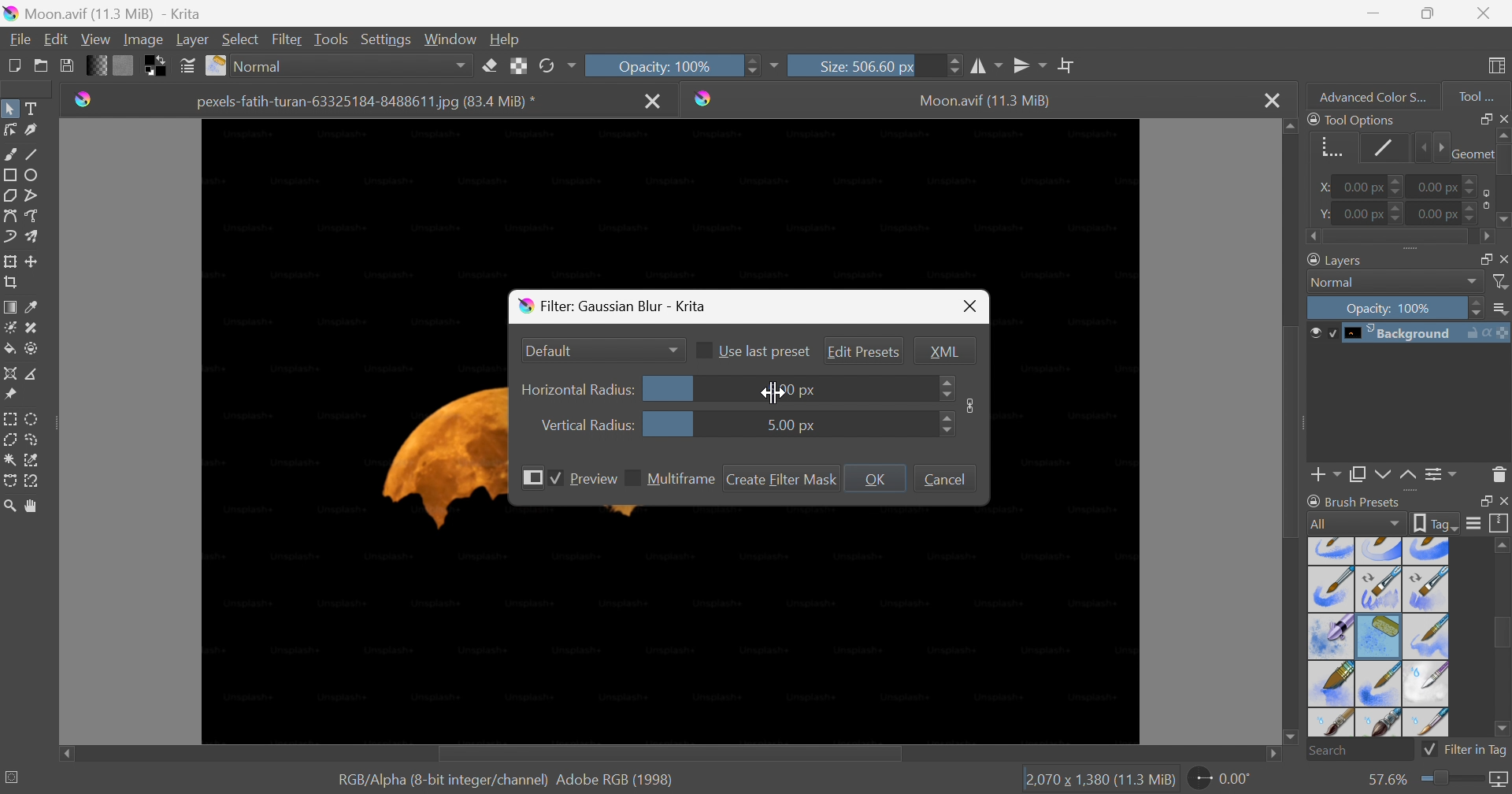  Describe the element at coordinates (875, 65) in the screenshot. I see `Size: 506.60 px` at that location.